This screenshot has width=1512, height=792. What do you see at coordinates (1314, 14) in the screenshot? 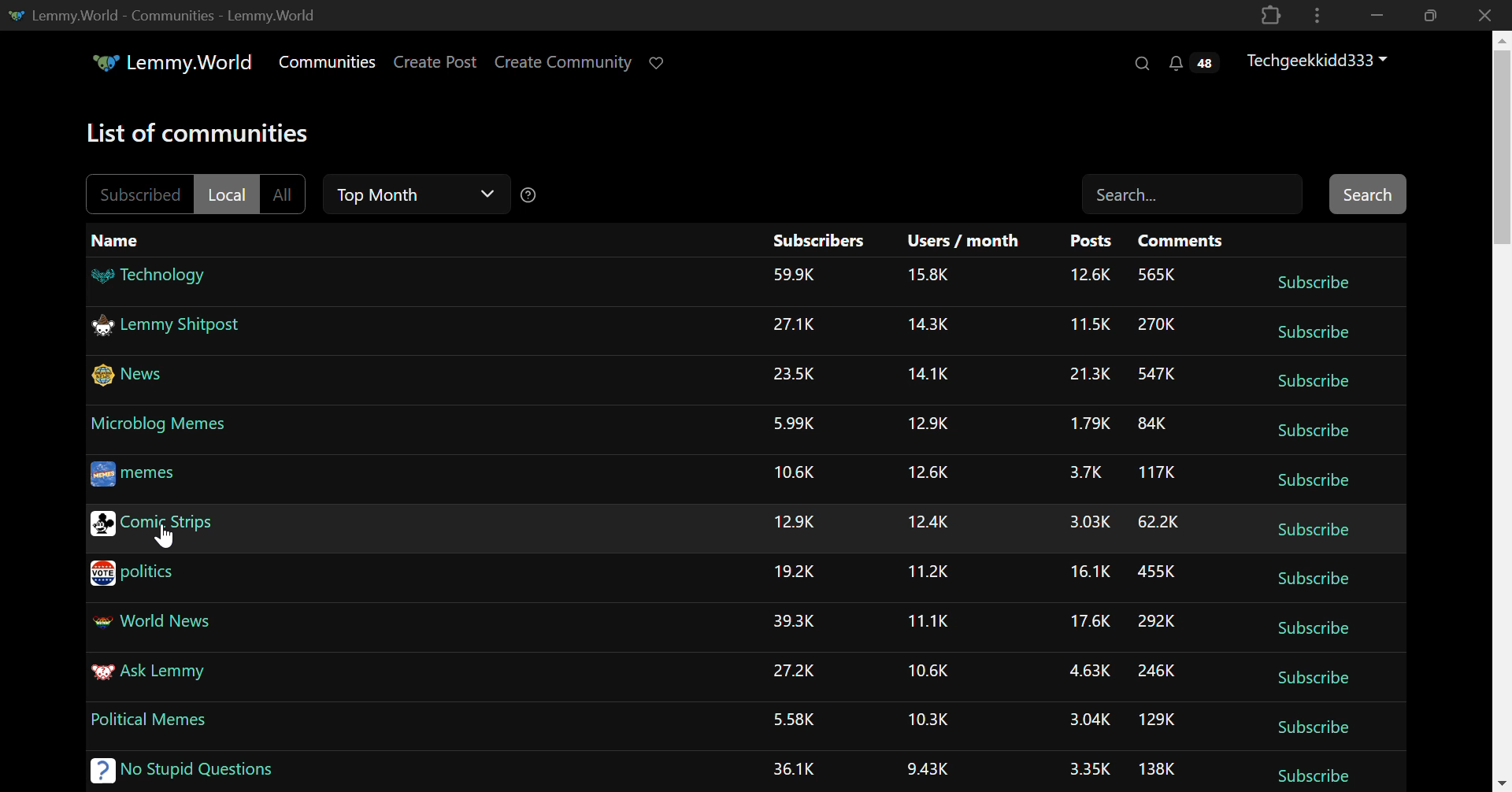
I see `Options Menu` at bounding box center [1314, 14].